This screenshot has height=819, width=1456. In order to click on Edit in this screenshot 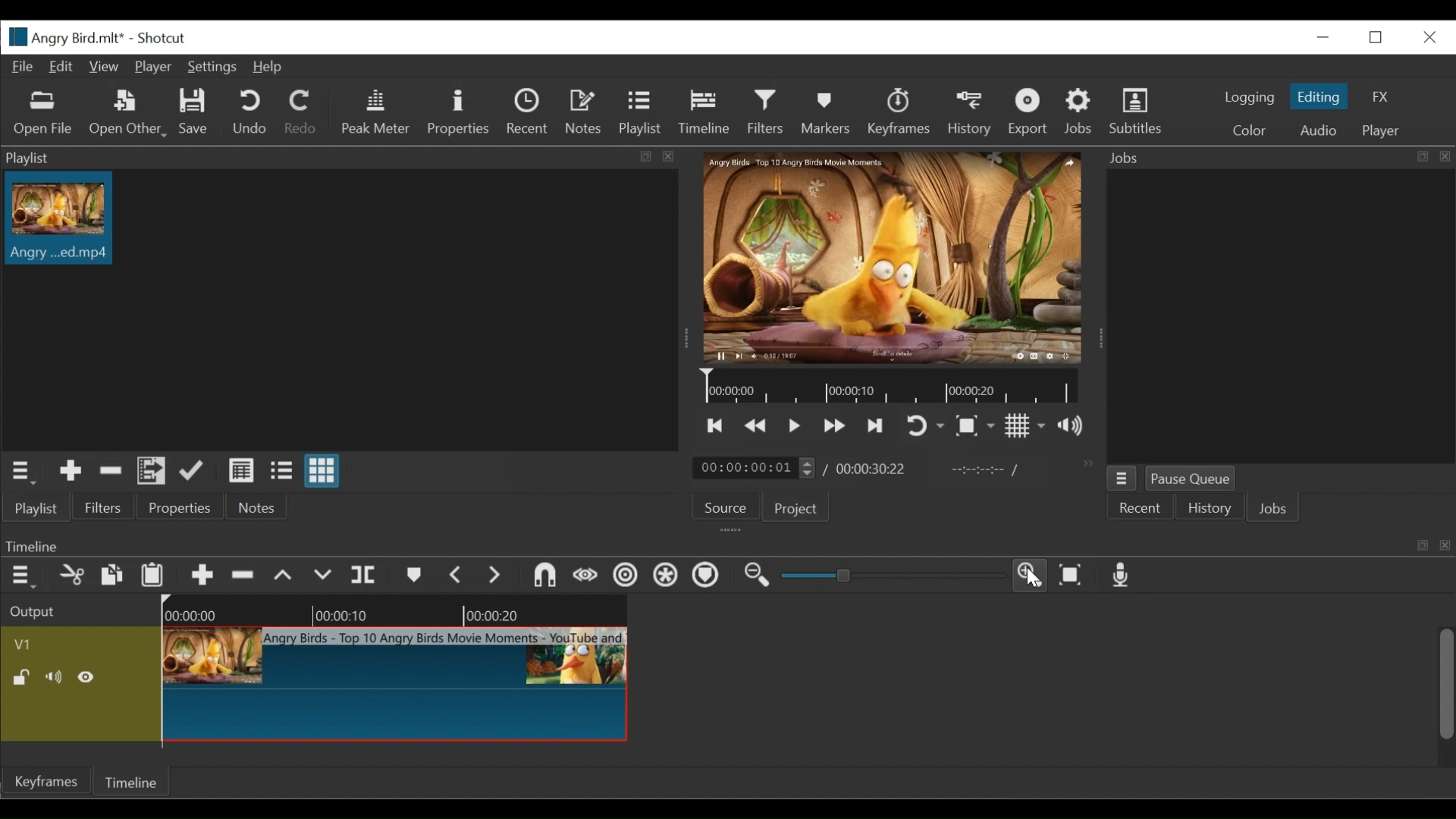, I will do `click(63, 67)`.